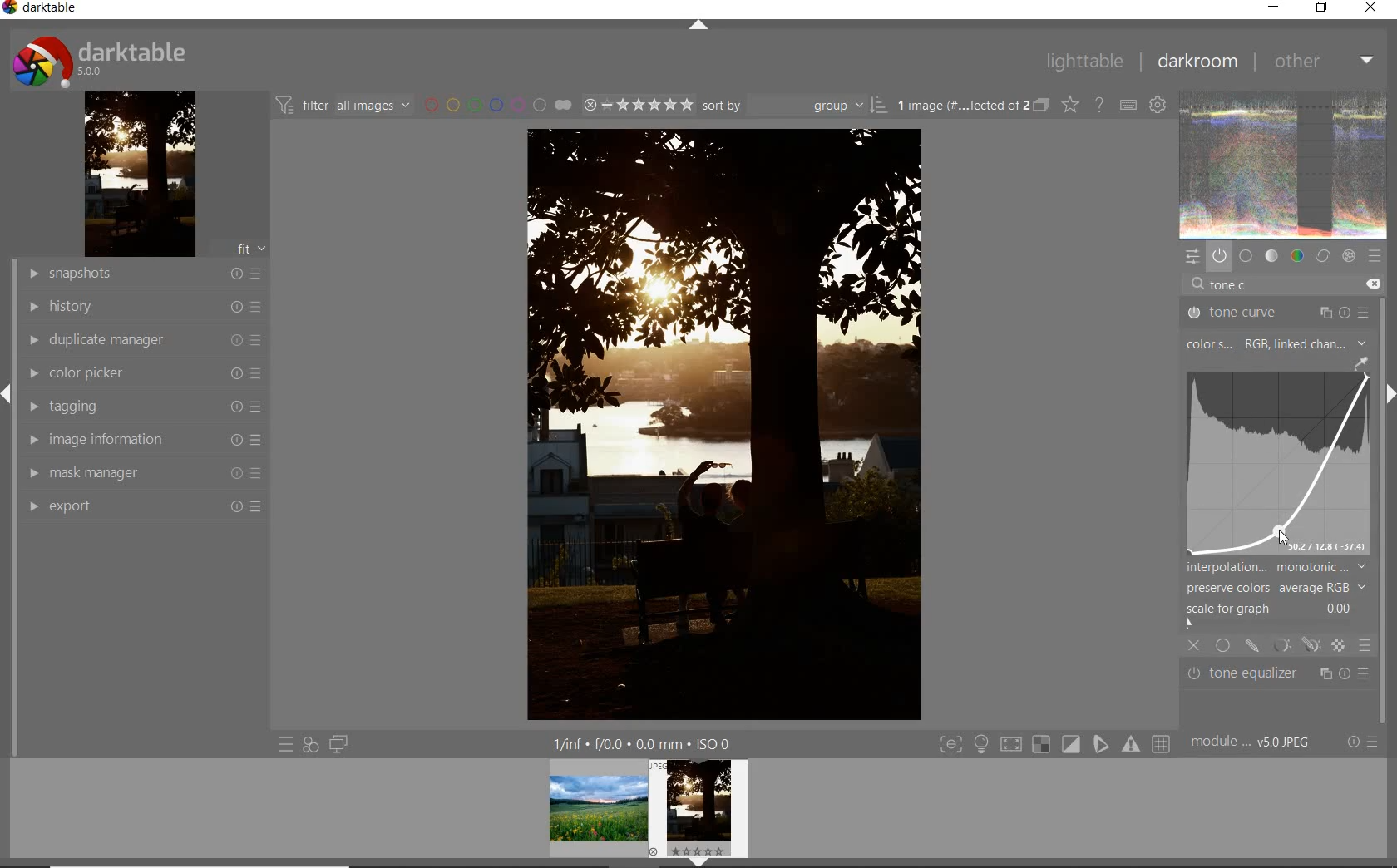 This screenshot has width=1397, height=868. What do you see at coordinates (1082, 62) in the screenshot?
I see `lighttable` at bounding box center [1082, 62].